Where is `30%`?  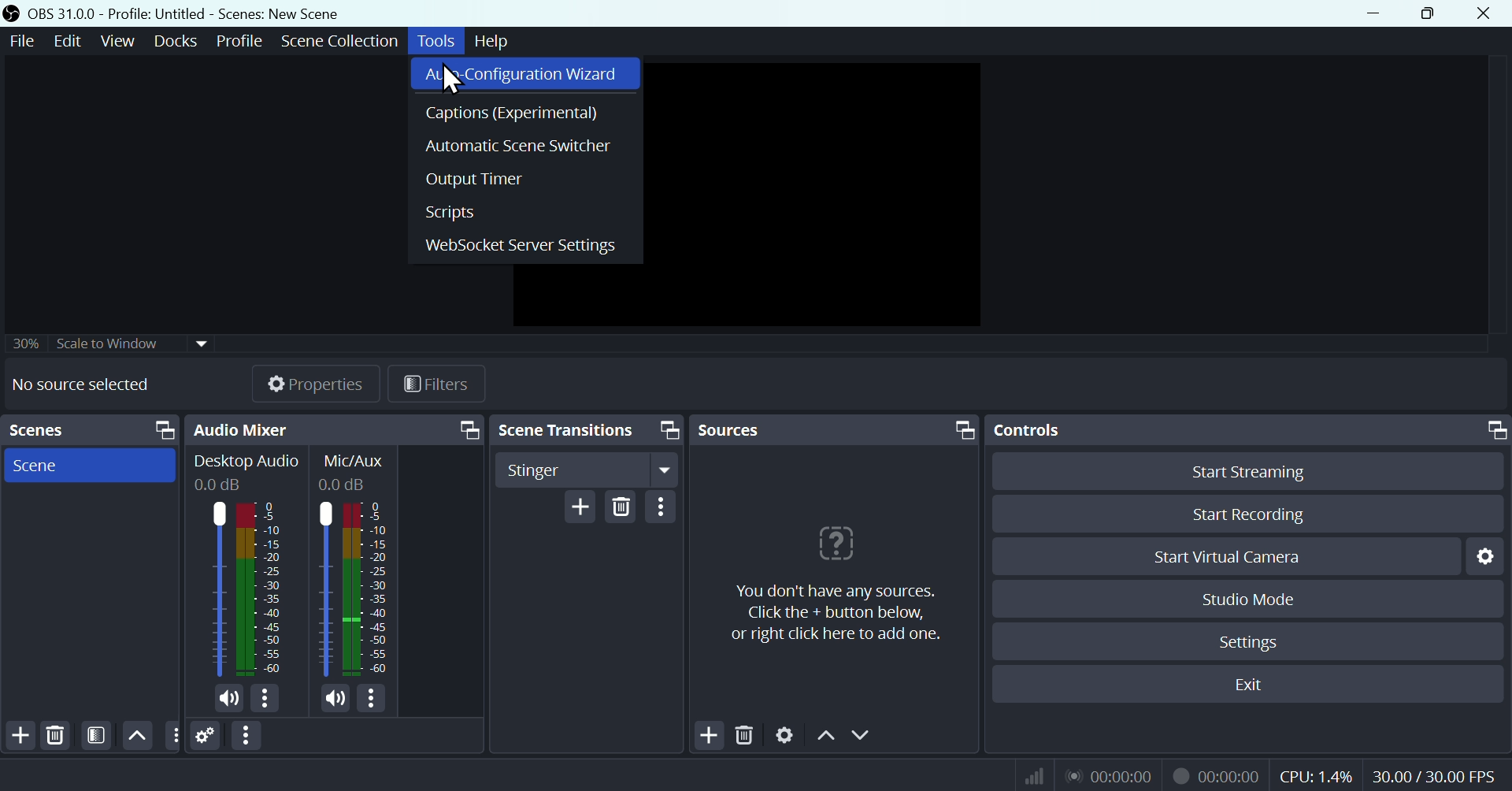
30% is located at coordinates (23, 343).